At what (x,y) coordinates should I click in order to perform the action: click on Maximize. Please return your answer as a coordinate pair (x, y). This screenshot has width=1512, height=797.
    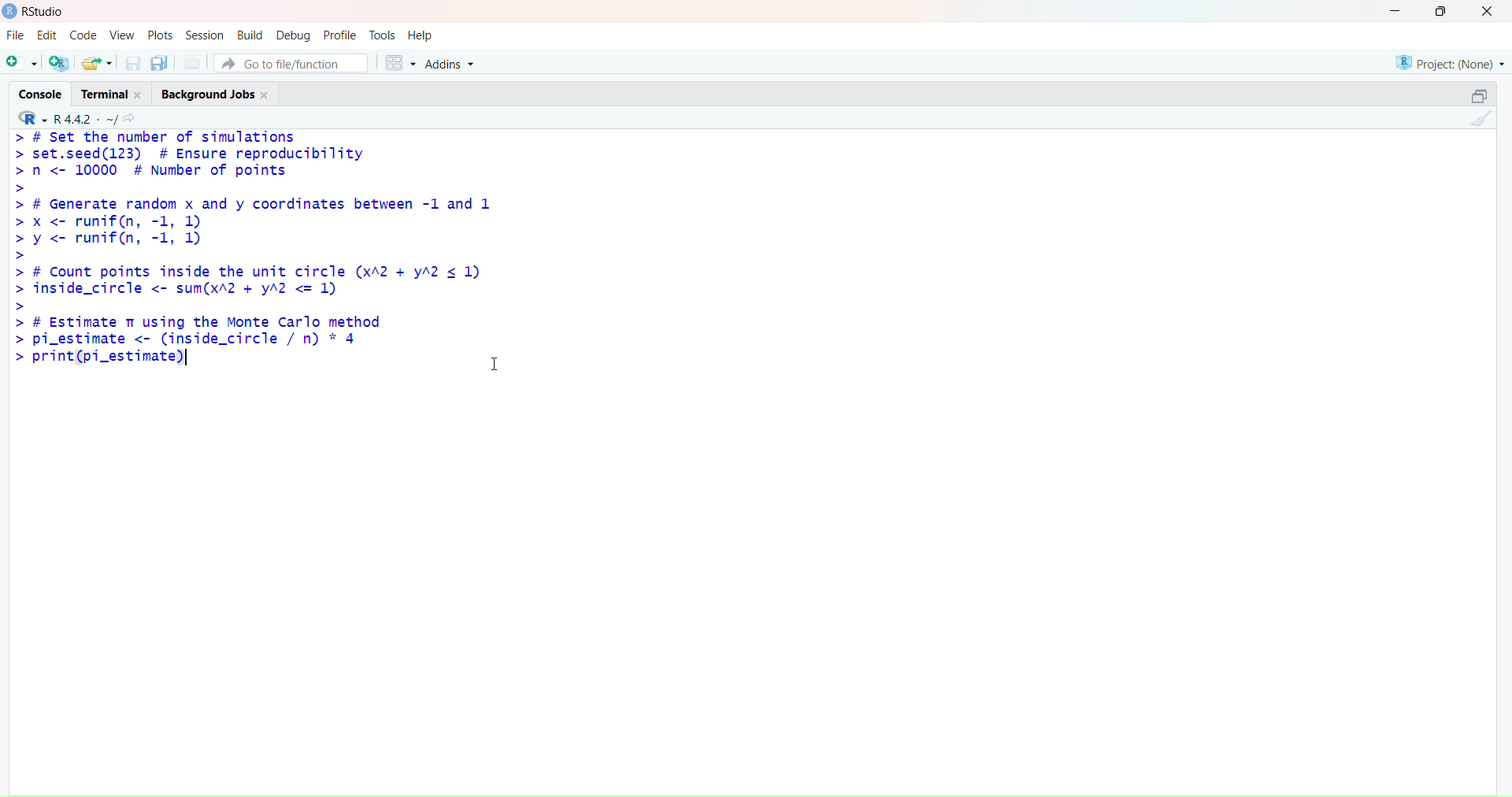
    Looking at the image, I should click on (1443, 14).